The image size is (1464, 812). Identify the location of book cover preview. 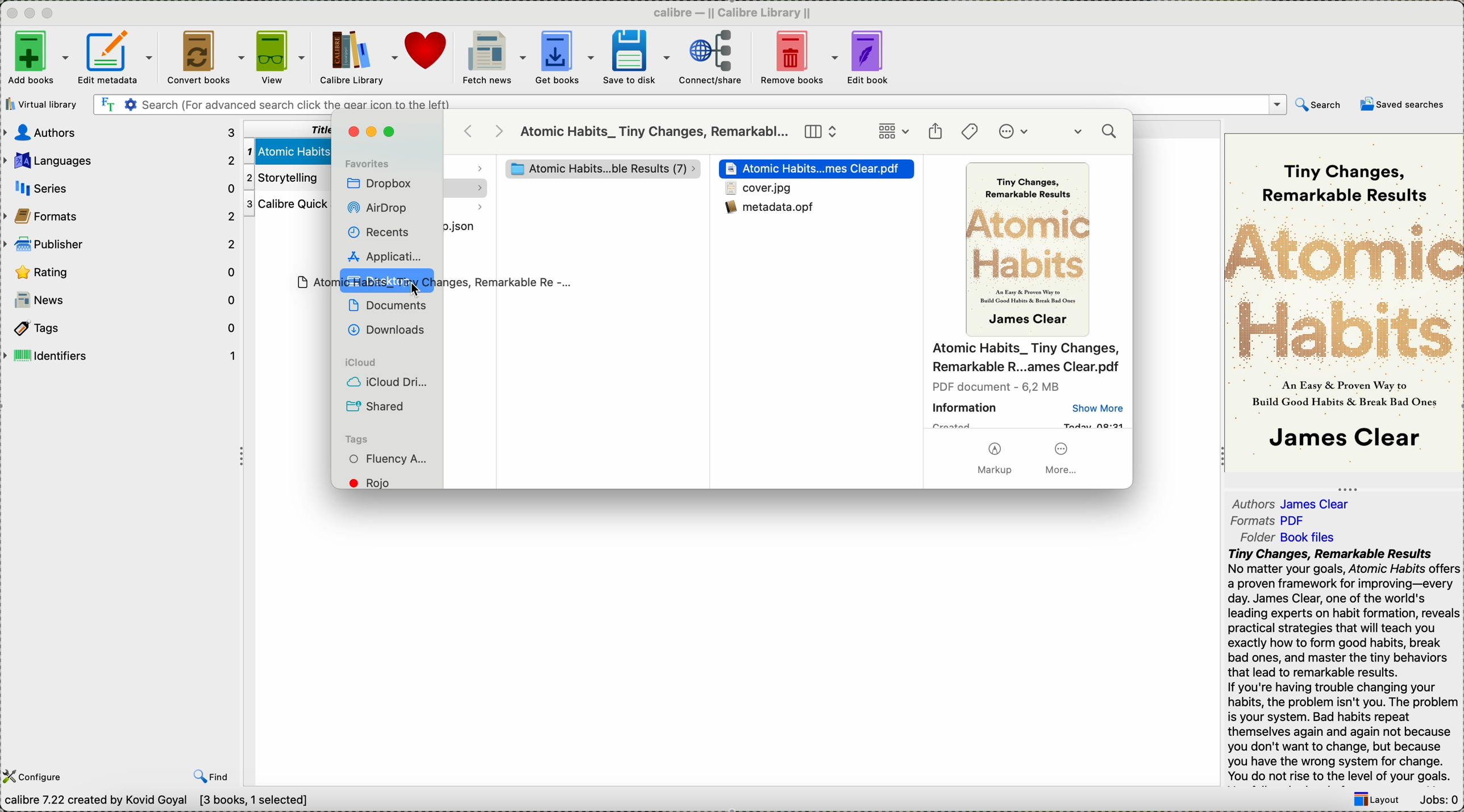
(1344, 302).